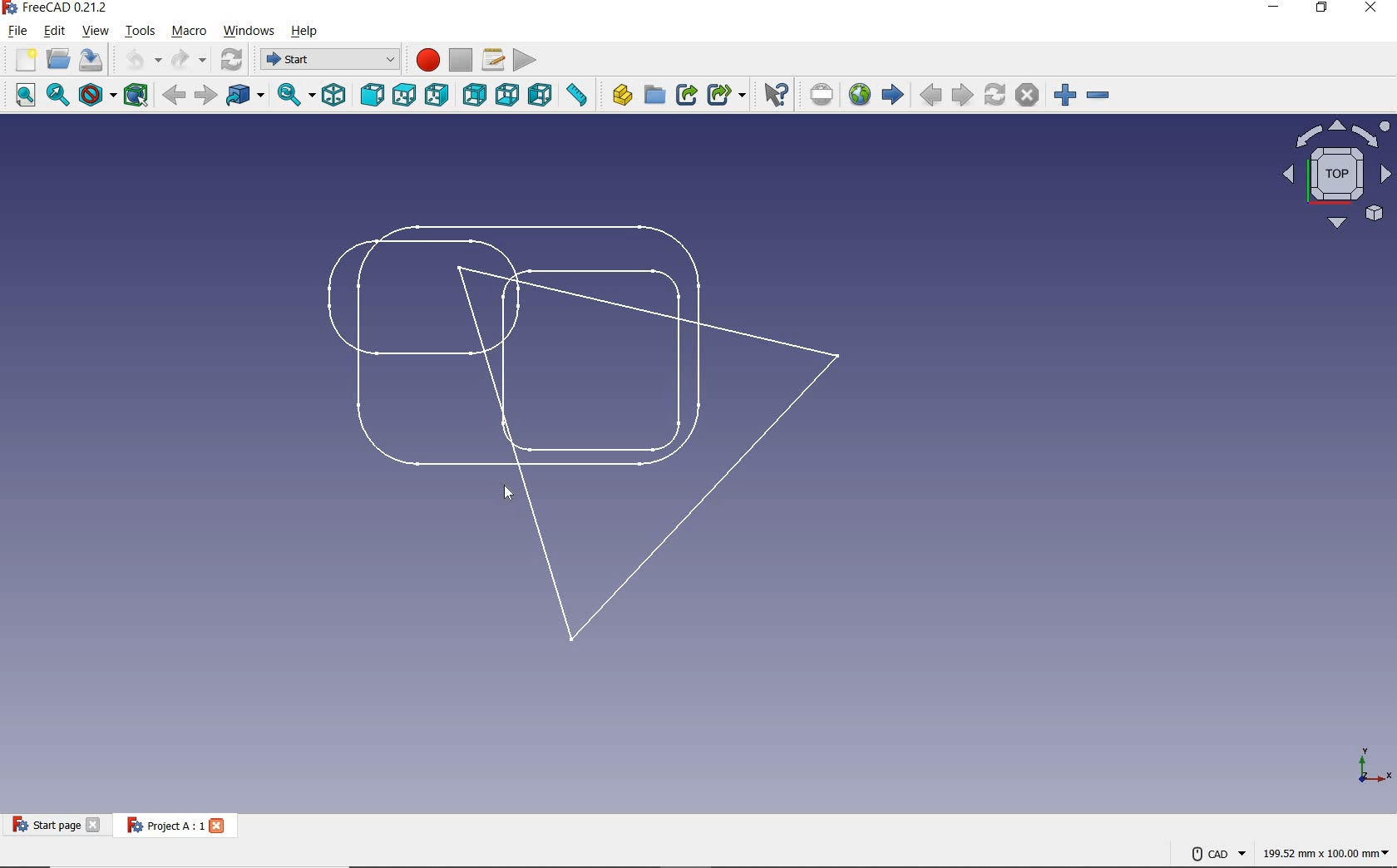  What do you see at coordinates (506, 94) in the screenshot?
I see `BOTTOM` at bounding box center [506, 94].